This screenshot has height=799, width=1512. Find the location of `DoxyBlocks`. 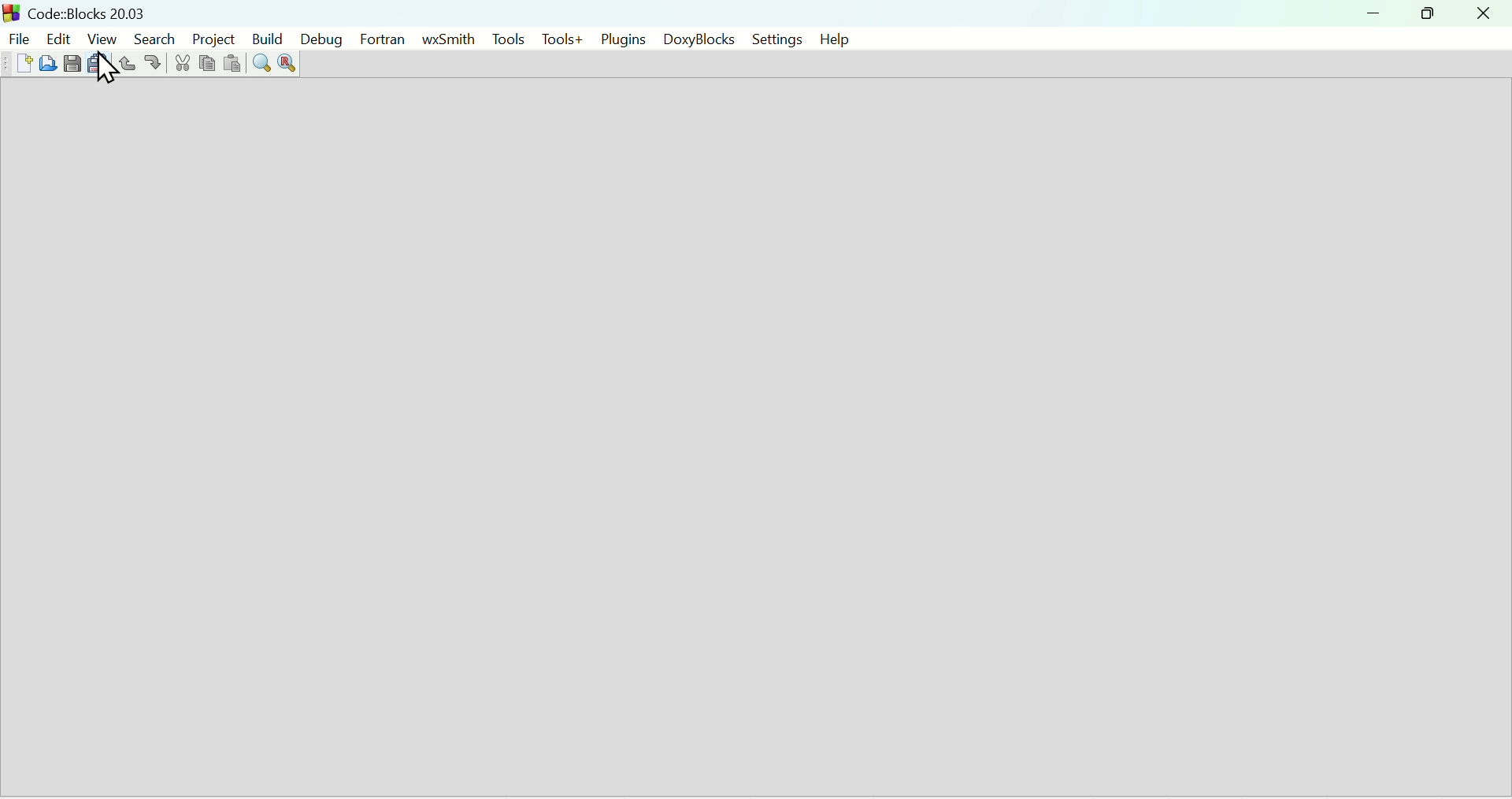

DoxyBlocks is located at coordinates (695, 39).